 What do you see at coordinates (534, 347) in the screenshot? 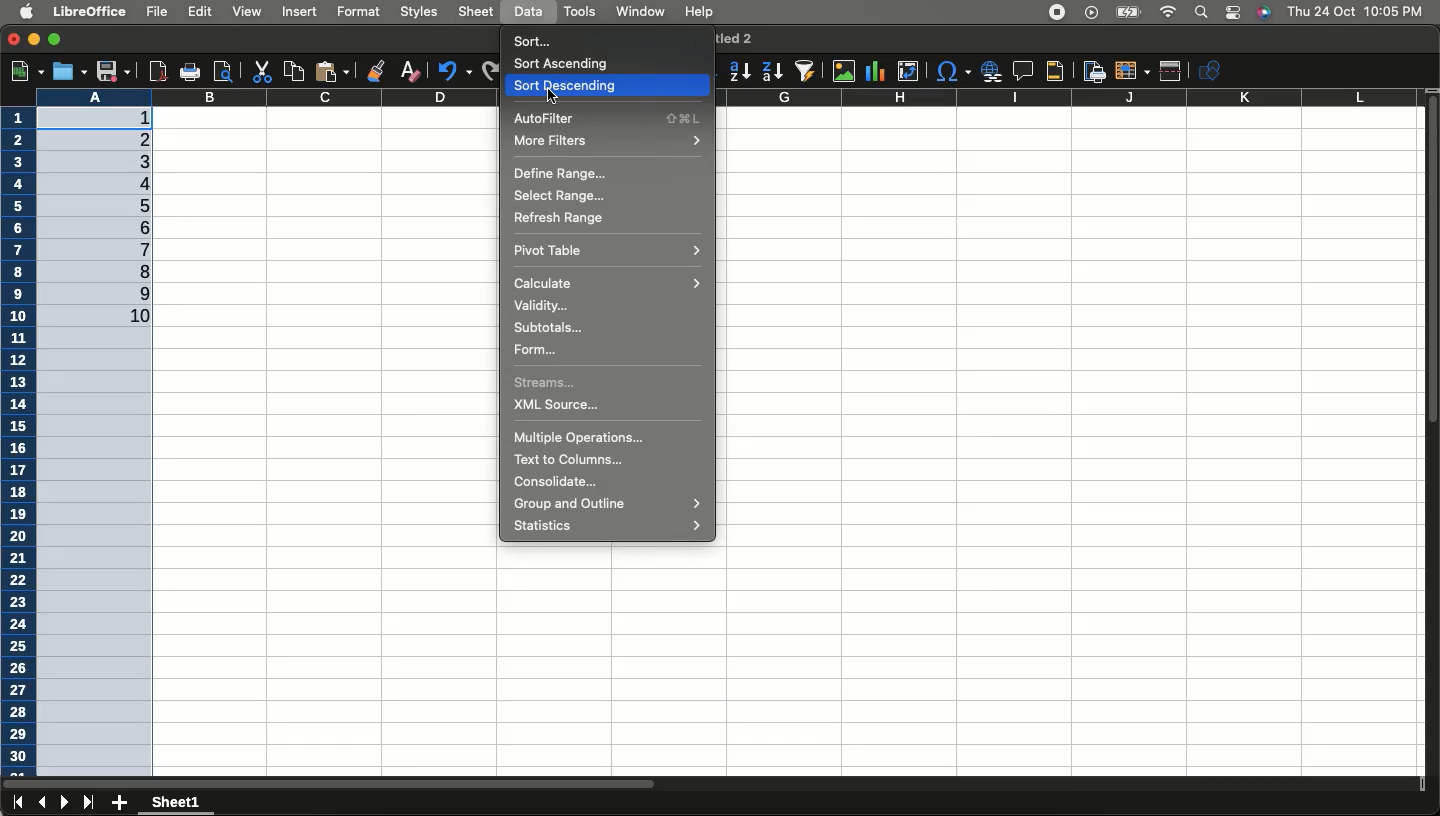
I see `Form...` at bounding box center [534, 347].